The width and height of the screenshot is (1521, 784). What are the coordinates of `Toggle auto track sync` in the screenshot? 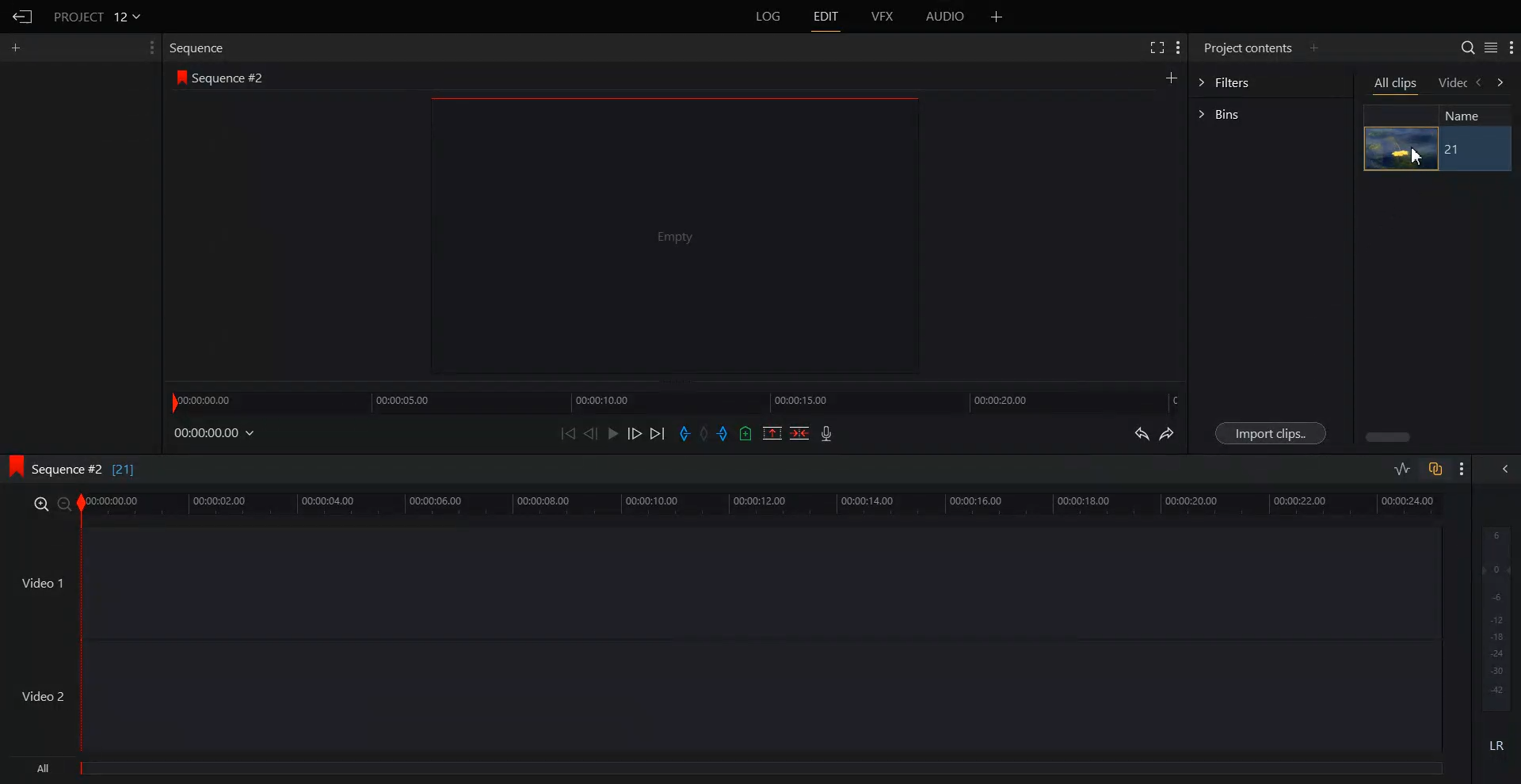 It's located at (1435, 469).